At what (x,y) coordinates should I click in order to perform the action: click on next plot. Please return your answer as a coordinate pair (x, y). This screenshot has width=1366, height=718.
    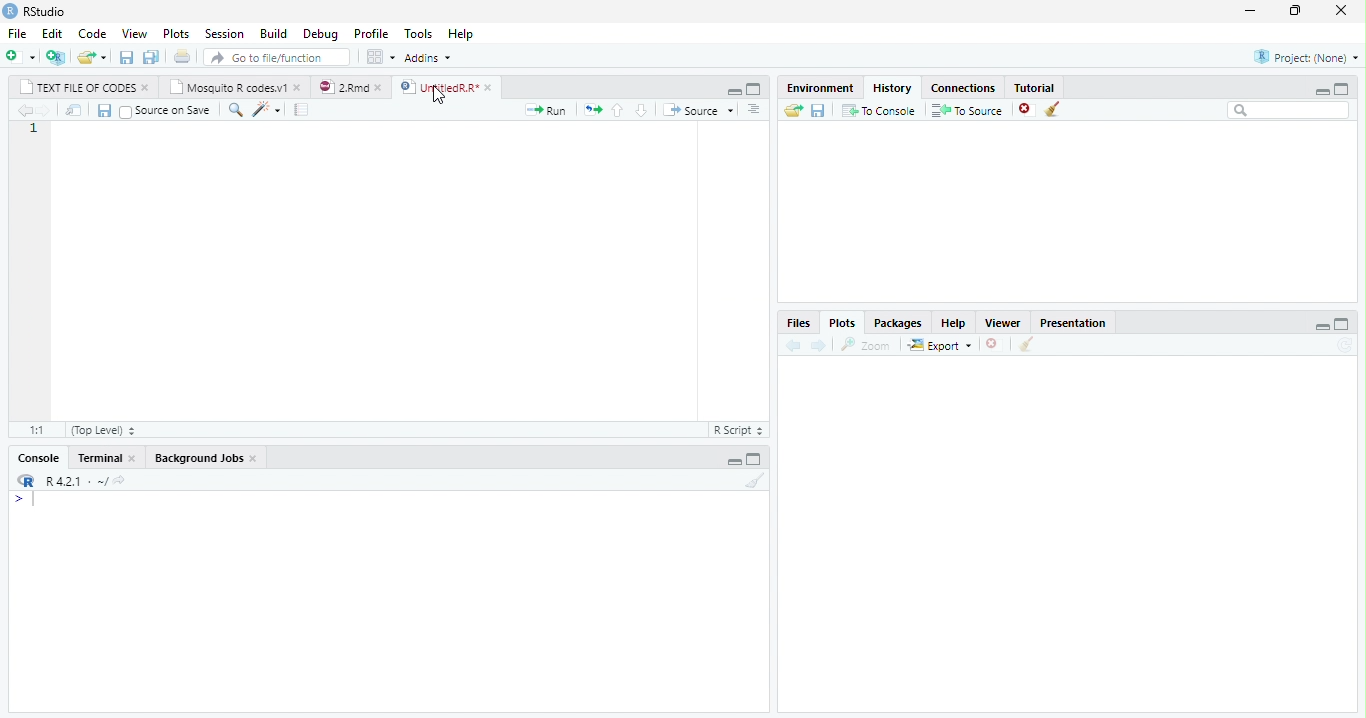
    Looking at the image, I should click on (822, 345).